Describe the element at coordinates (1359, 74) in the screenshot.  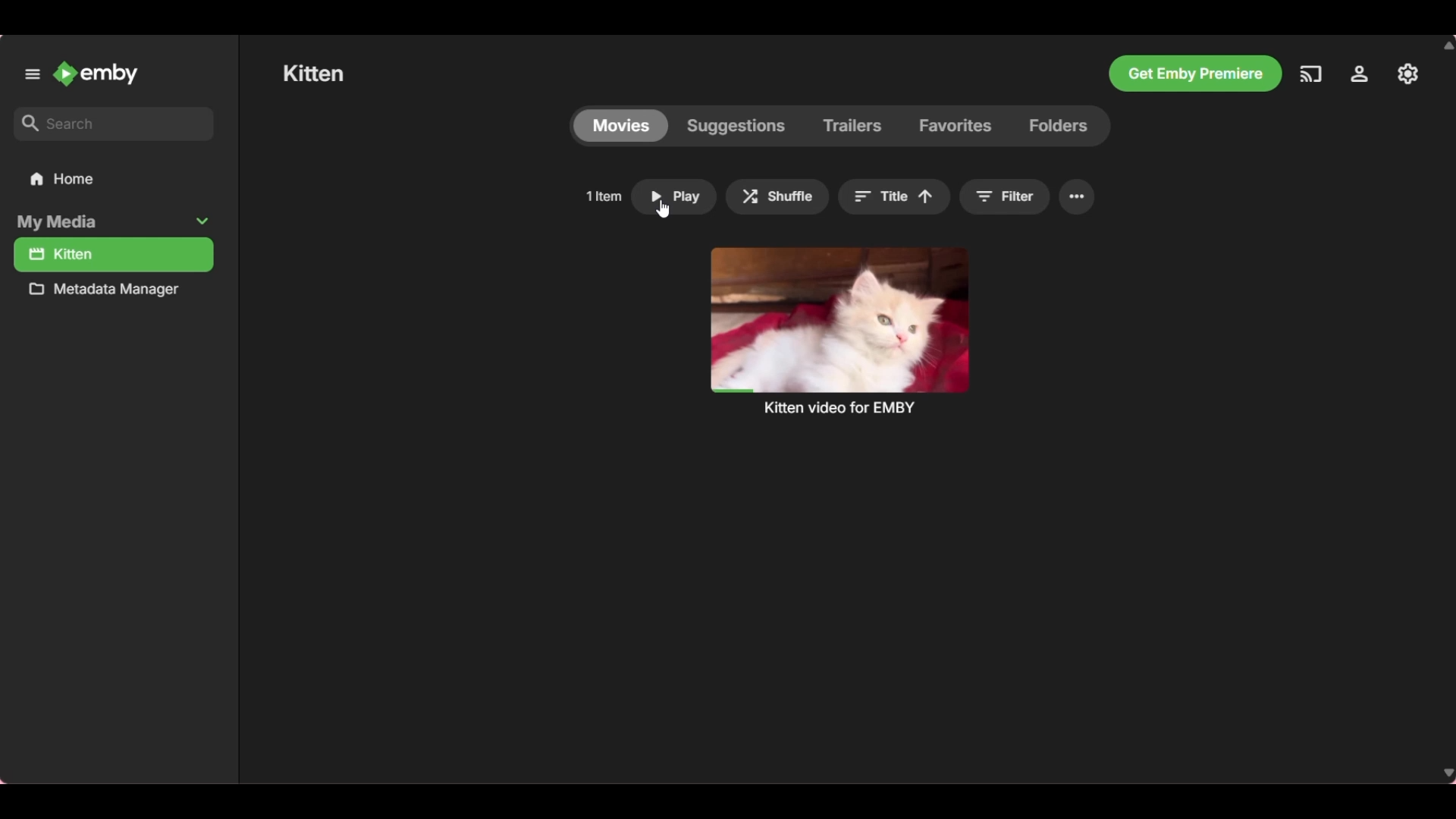
I see `Settings` at that location.